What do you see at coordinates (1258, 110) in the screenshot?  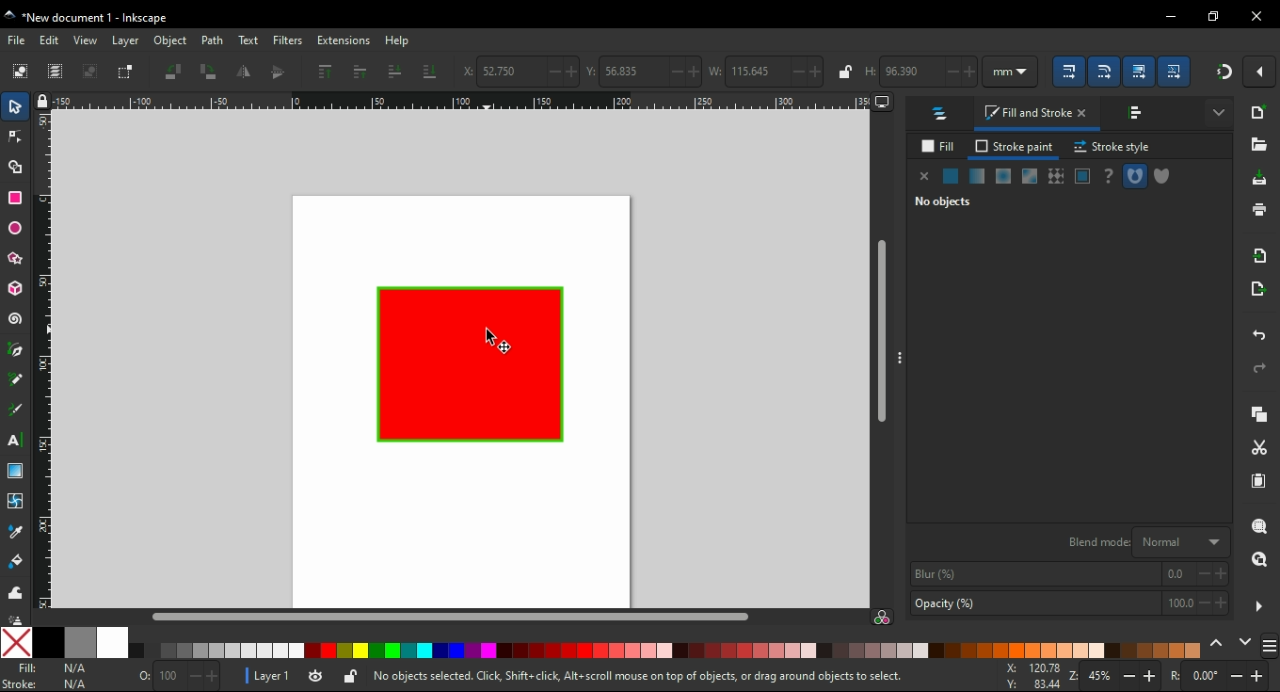 I see `new` at bounding box center [1258, 110].